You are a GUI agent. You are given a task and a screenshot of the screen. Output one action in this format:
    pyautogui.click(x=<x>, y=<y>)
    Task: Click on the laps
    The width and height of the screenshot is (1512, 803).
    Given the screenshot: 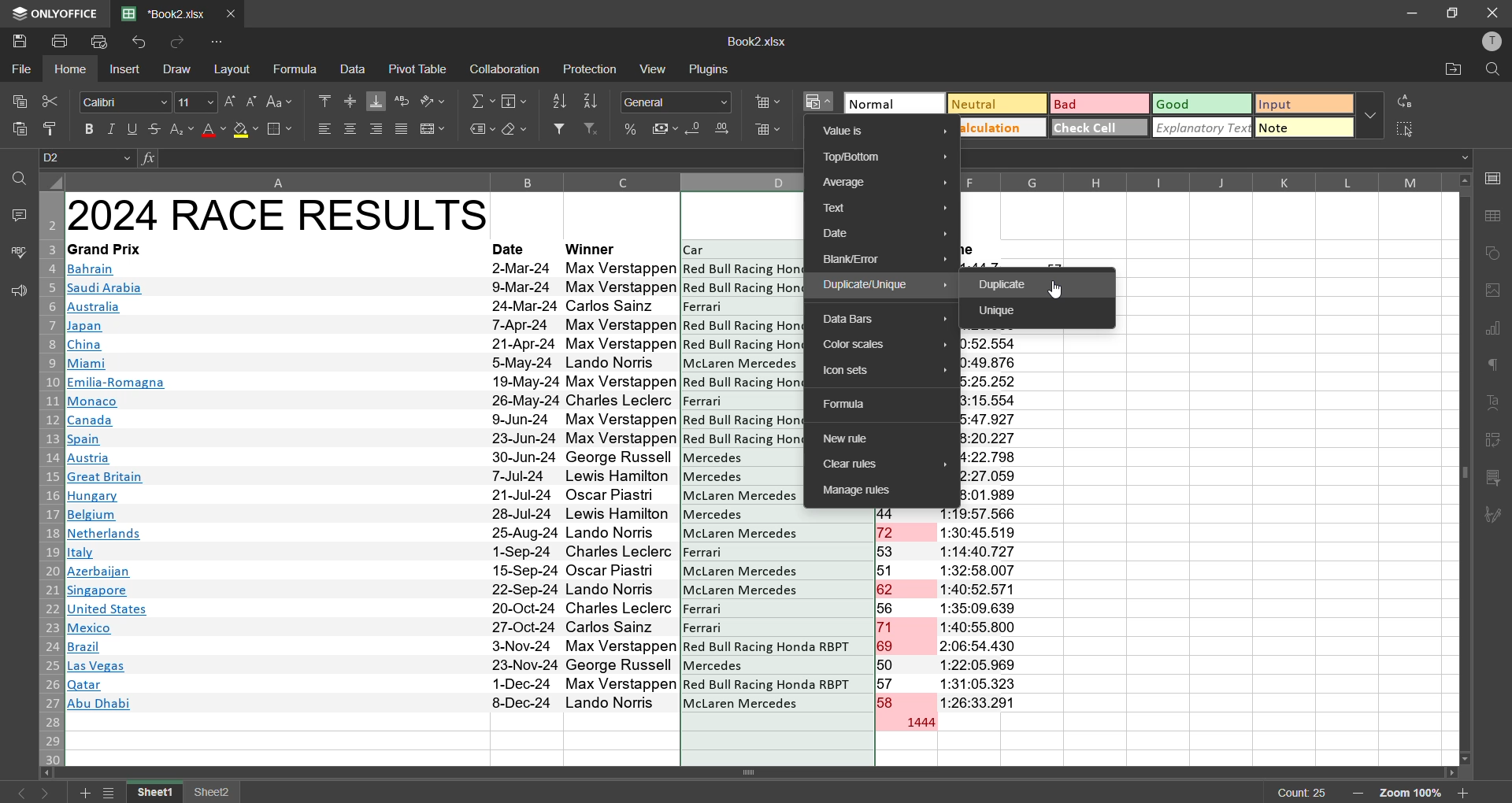 What is the action you would take?
    pyautogui.click(x=906, y=611)
    